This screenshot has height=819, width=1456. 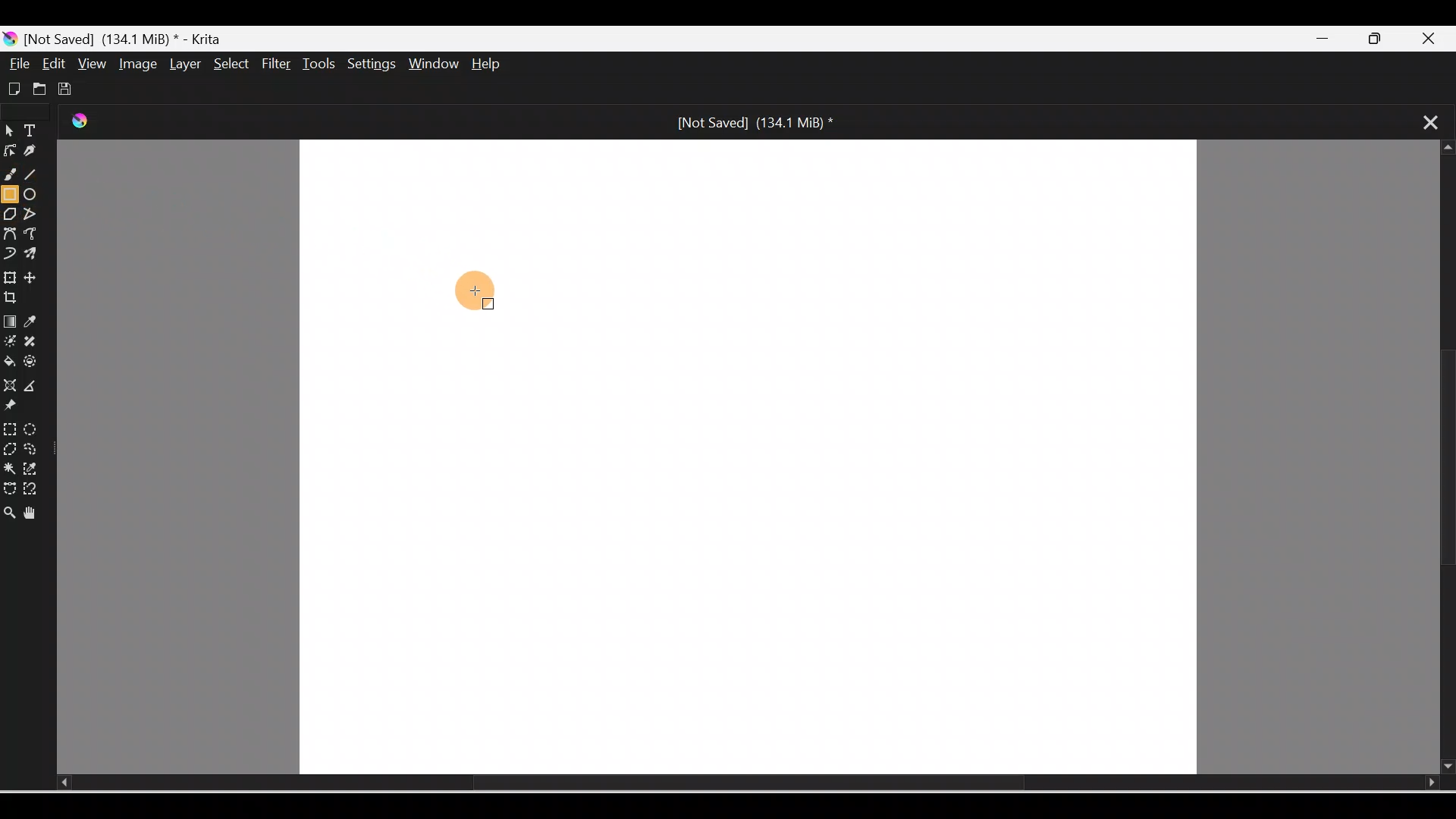 I want to click on Line, so click(x=36, y=177).